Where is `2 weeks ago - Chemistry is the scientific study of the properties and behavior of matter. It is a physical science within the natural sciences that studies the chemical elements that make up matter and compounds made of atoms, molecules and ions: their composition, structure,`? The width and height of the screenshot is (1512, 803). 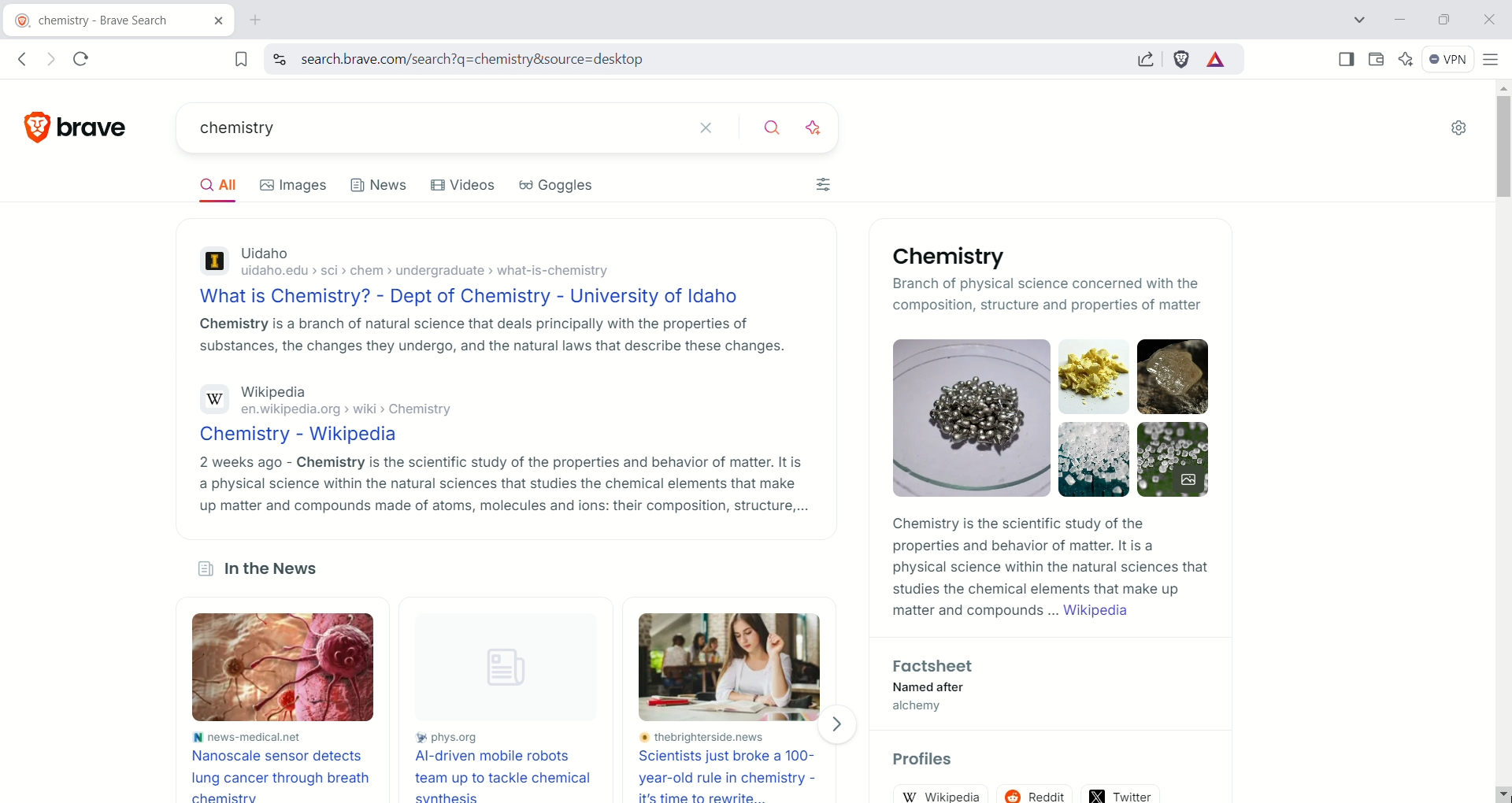
2 weeks ago - Chemistry is the scientific study of the properties and behavior of matter. It is a physical science within the natural sciences that studies the chemical elements that make up matter and compounds made of atoms, molecules and ions: their composition, structure, is located at coordinates (502, 484).